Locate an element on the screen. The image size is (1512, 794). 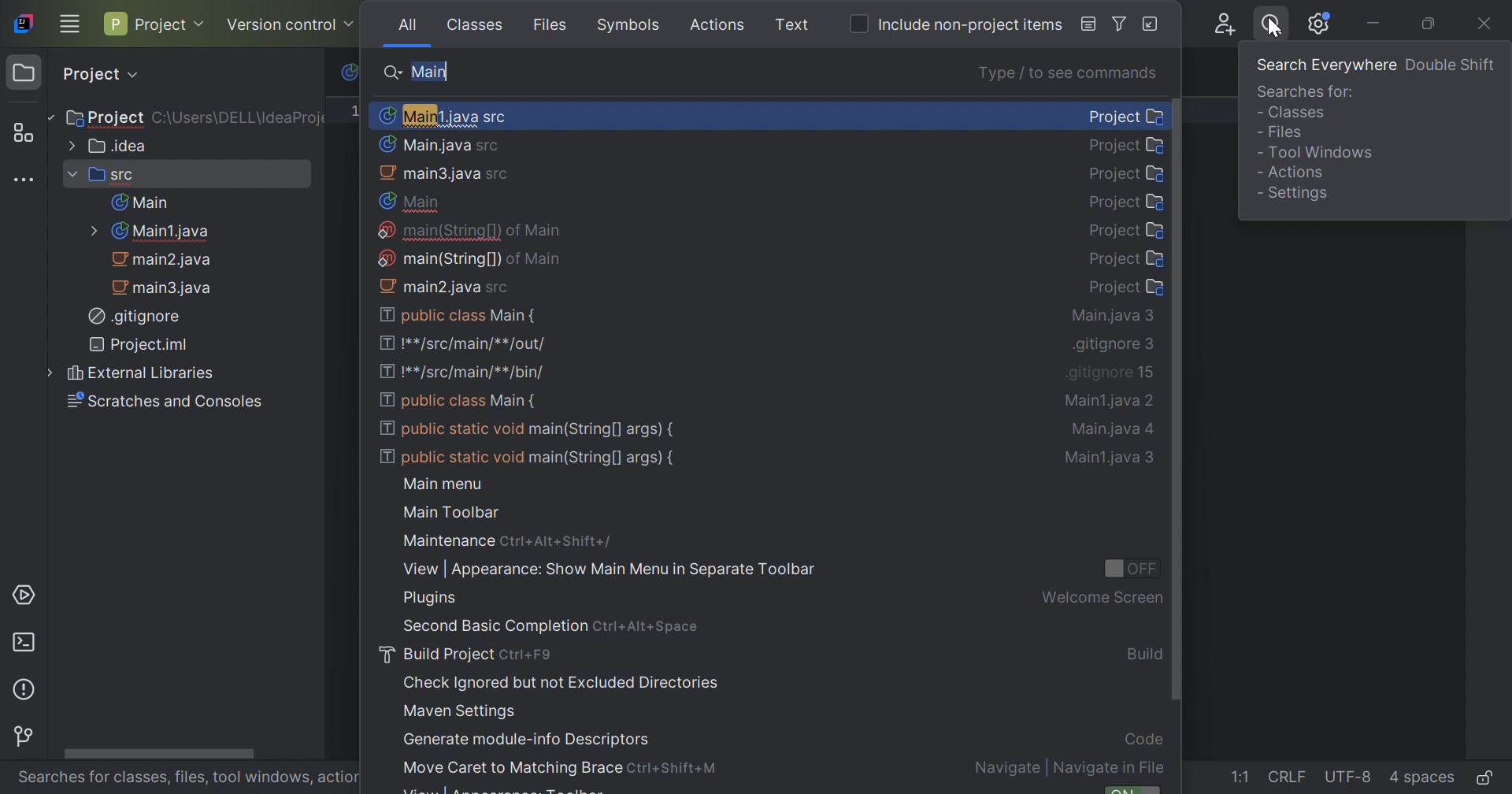
Files is located at coordinates (554, 27).